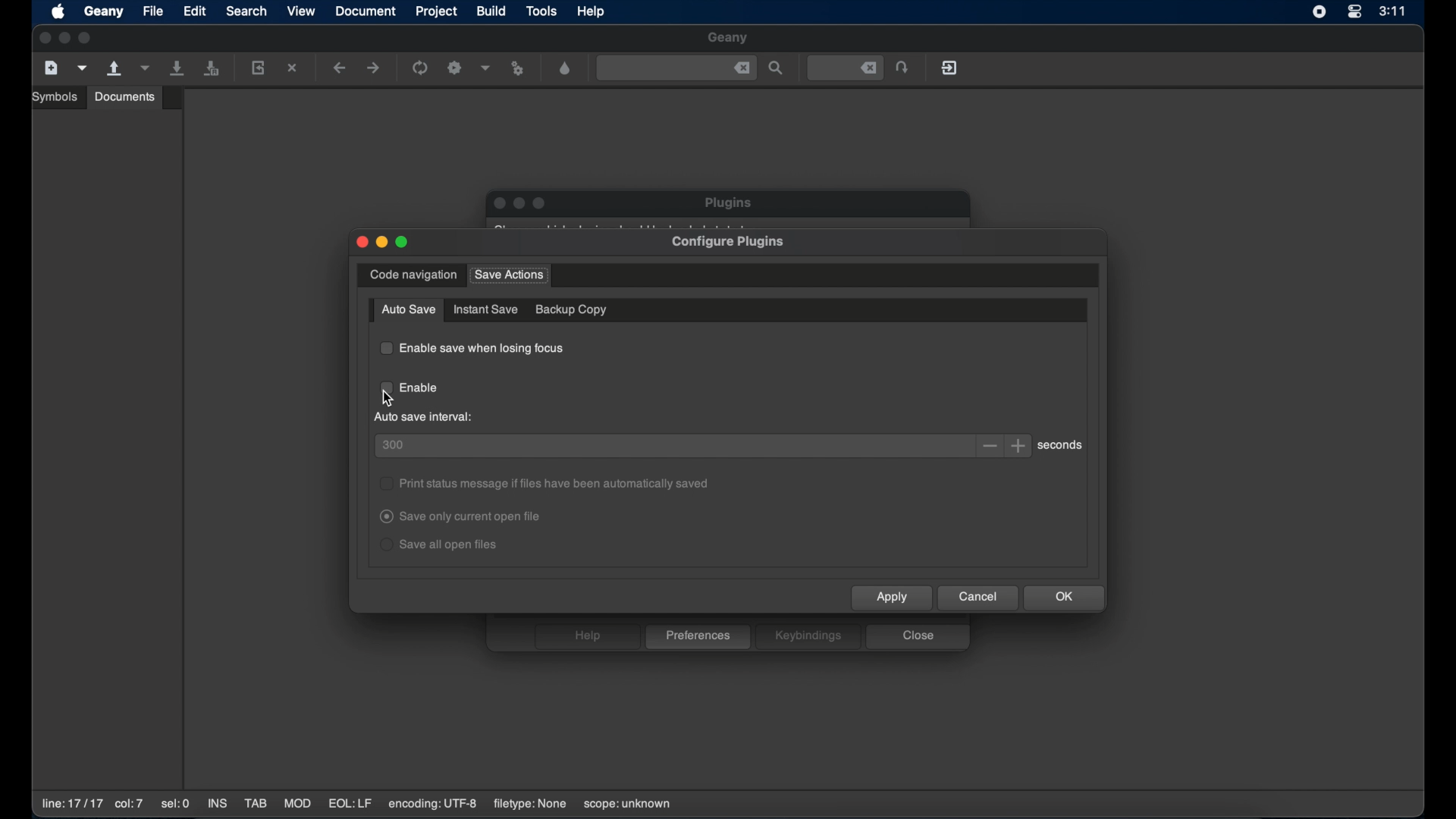 This screenshot has width=1456, height=819. Describe the element at coordinates (425, 417) in the screenshot. I see `auto save interval:` at that location.